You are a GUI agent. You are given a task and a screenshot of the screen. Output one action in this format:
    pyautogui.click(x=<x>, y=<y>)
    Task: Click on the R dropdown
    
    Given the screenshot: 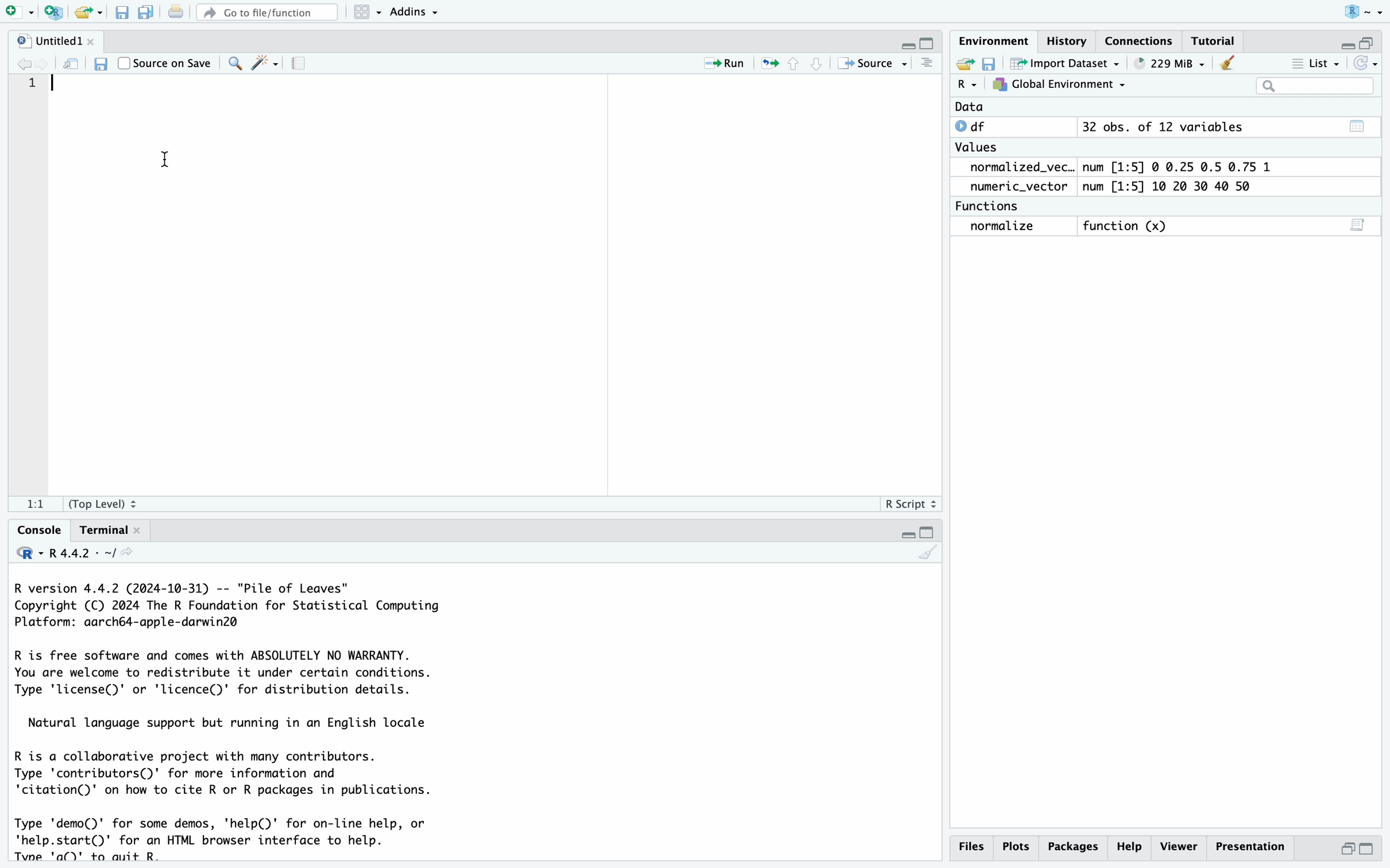 What is the action you would take?
    pyautogui.click(x=1368, y=11)
    